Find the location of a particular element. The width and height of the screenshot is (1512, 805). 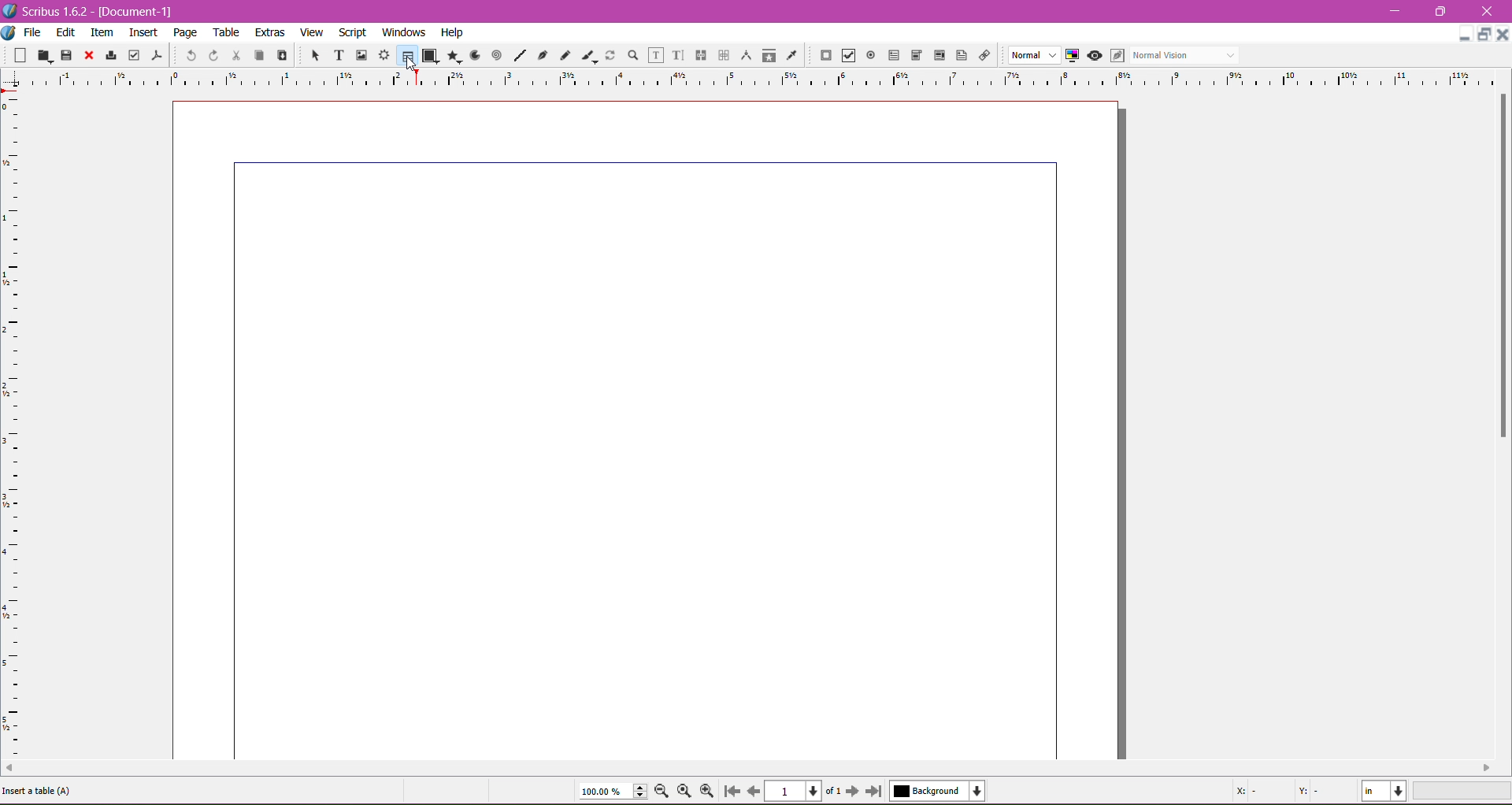

Extras is located at coordinates (270, 32).